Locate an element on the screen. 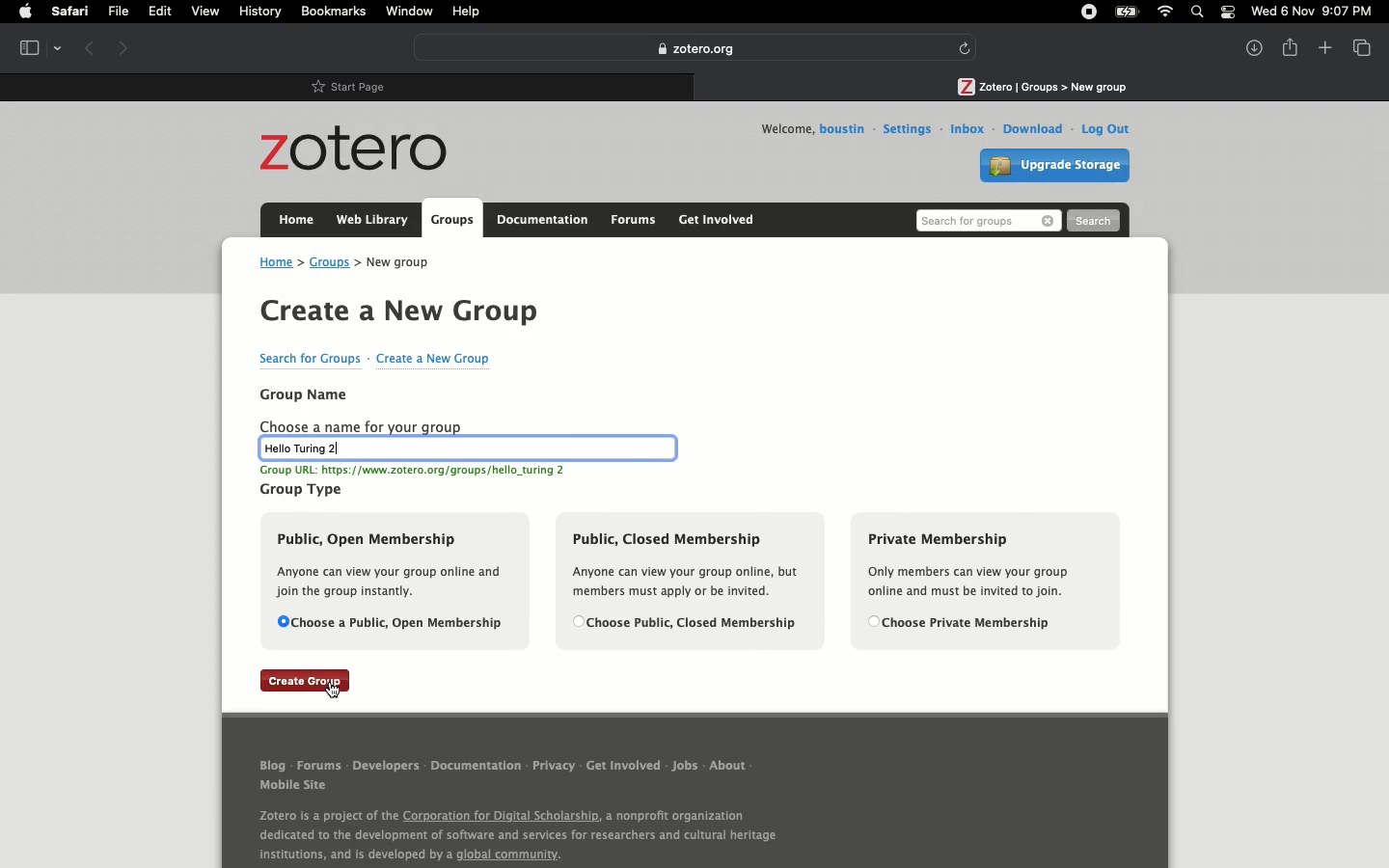 The height and width of the screenshot is (868, 1389). Help is located at coordinates (467, 12).